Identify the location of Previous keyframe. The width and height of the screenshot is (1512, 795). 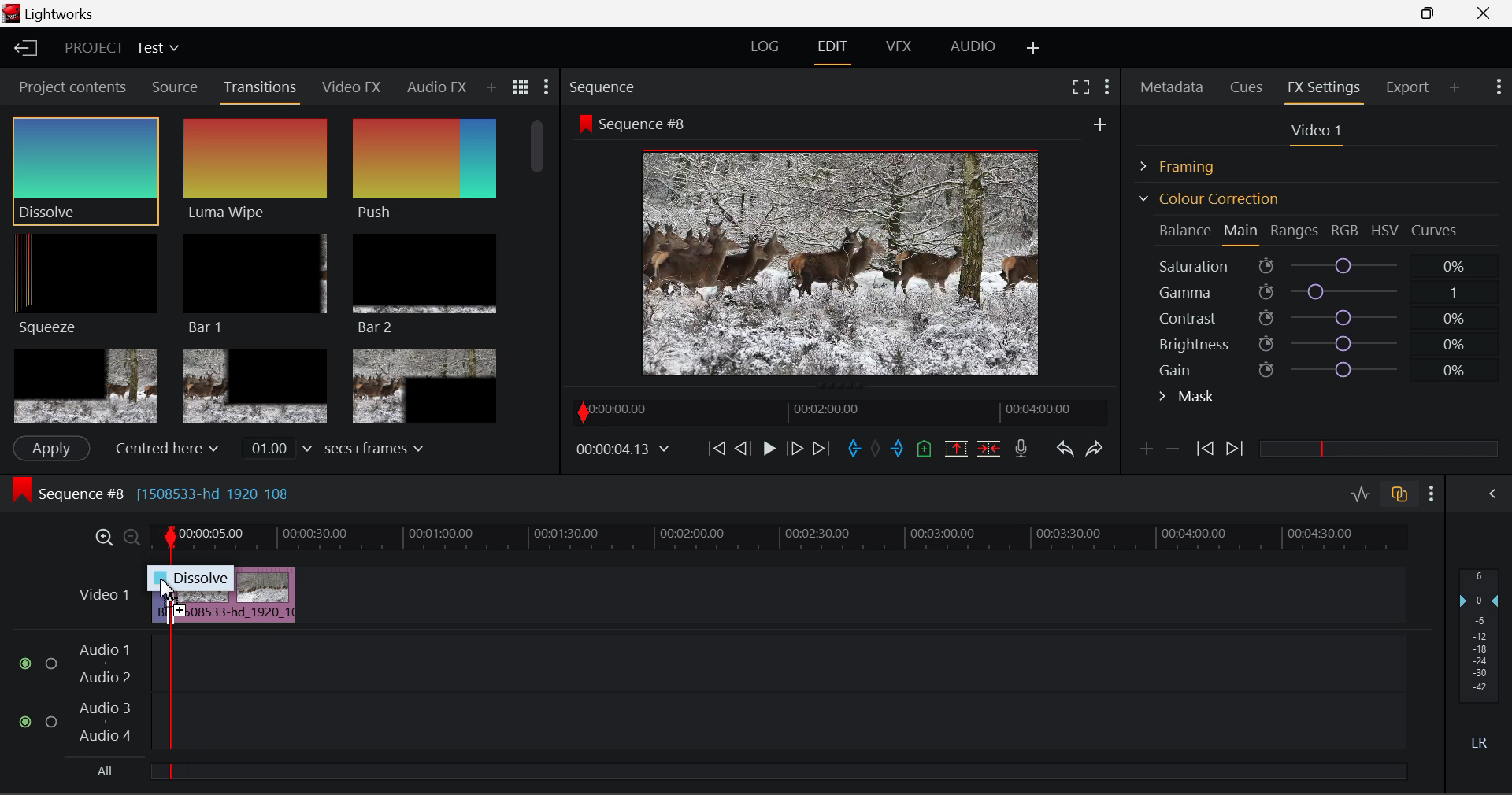
(1203, 449).